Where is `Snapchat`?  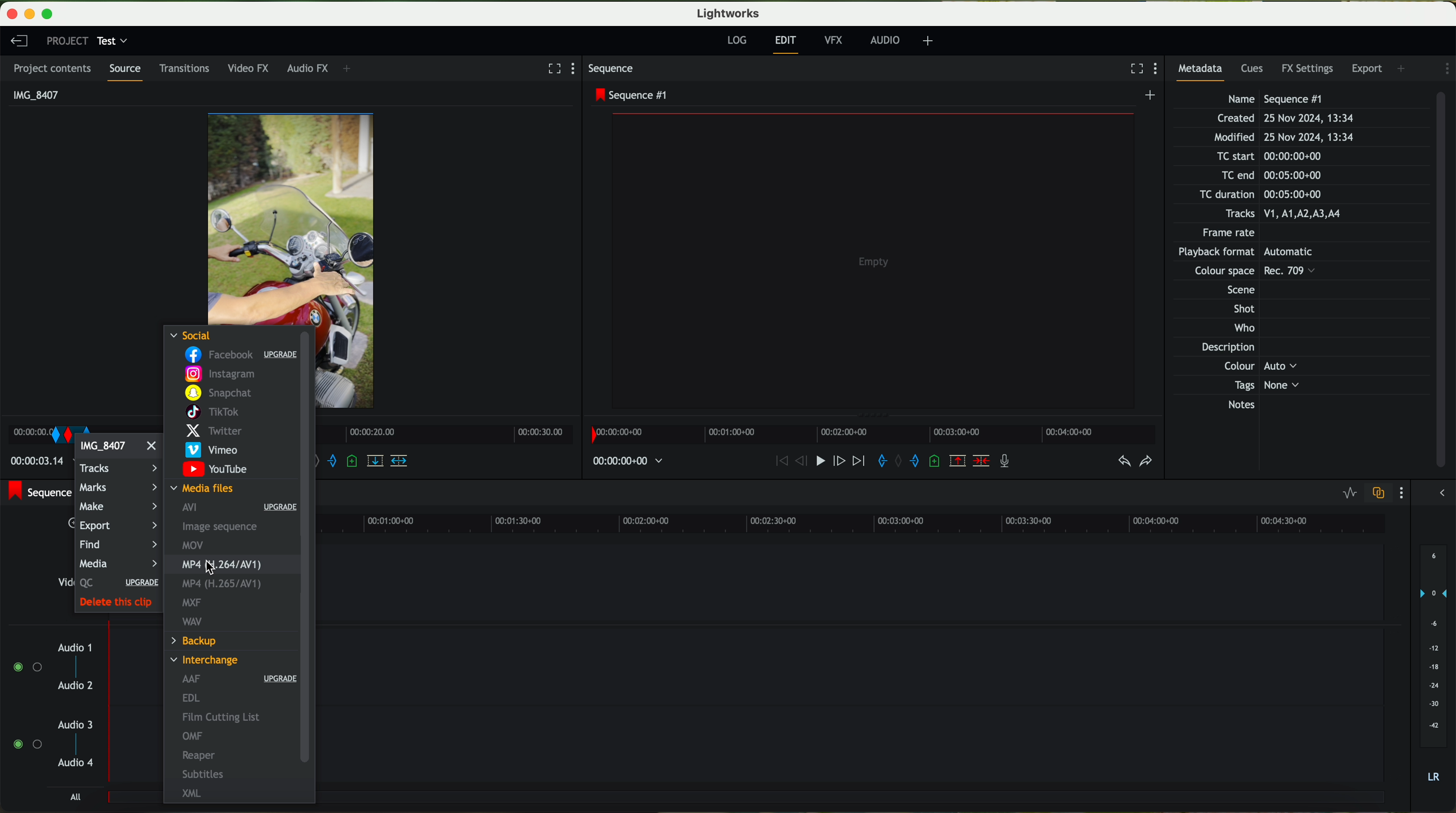
Snapchat is located at coordinates (216, 394).